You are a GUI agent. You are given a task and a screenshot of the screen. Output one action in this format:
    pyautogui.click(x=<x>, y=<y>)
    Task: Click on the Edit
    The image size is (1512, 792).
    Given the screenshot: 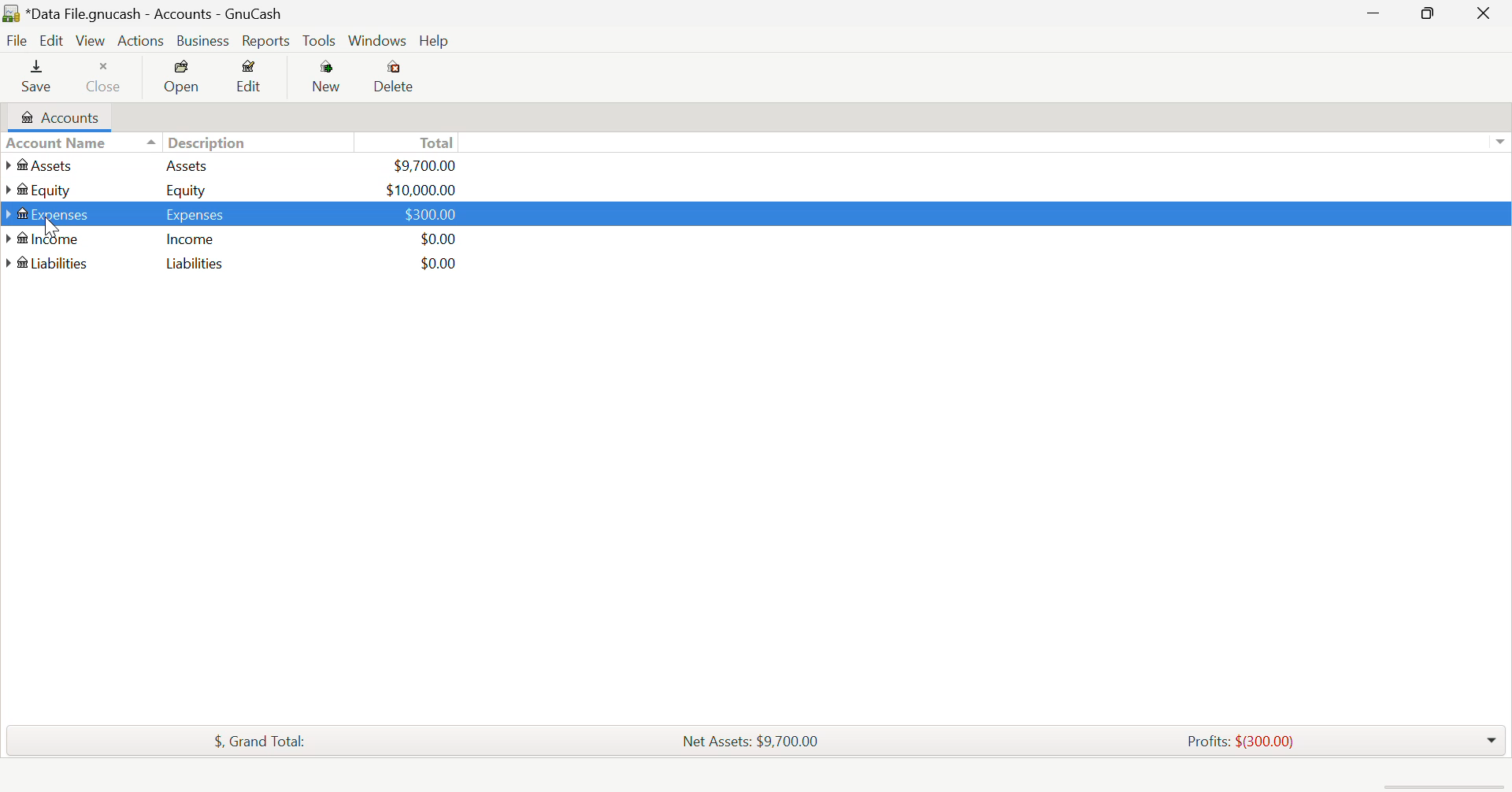 What is the action you would take?
    pyautogui.click(x=52, y=41)
    